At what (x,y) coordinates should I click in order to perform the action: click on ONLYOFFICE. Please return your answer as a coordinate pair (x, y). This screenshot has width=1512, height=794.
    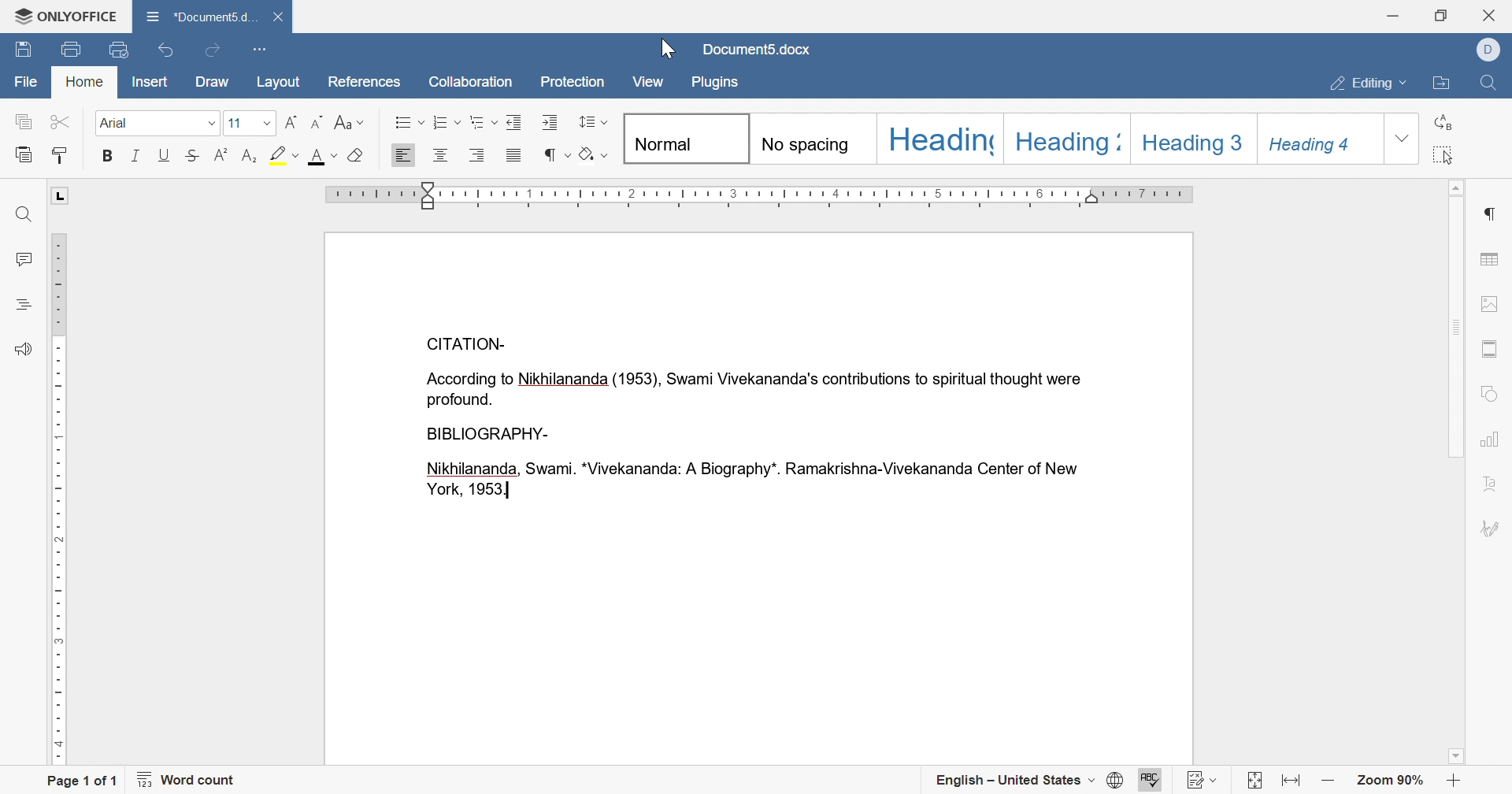
    Looking at the image, I should click on (60, 14).